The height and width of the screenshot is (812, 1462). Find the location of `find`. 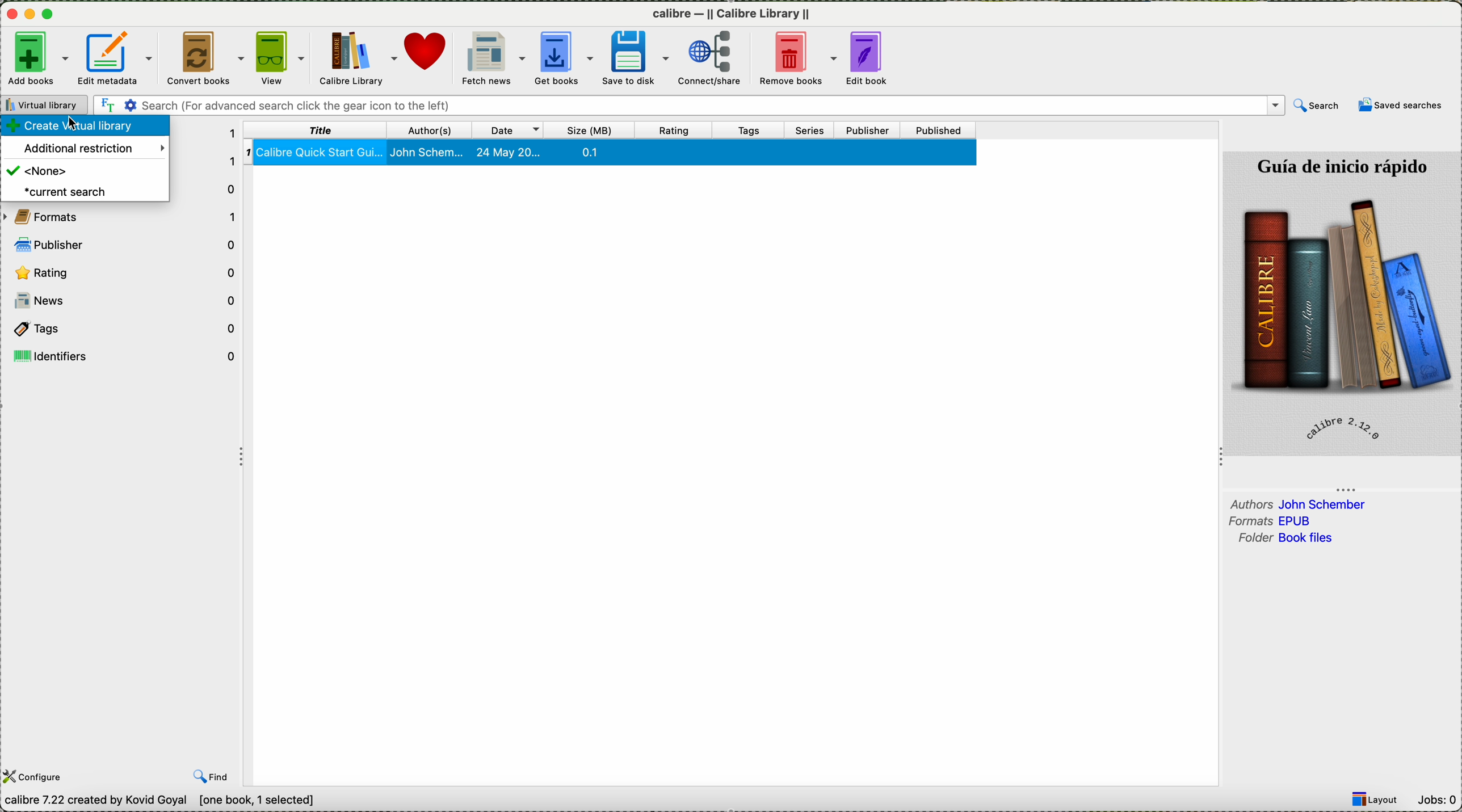

find is located at coordinates (213, 777).